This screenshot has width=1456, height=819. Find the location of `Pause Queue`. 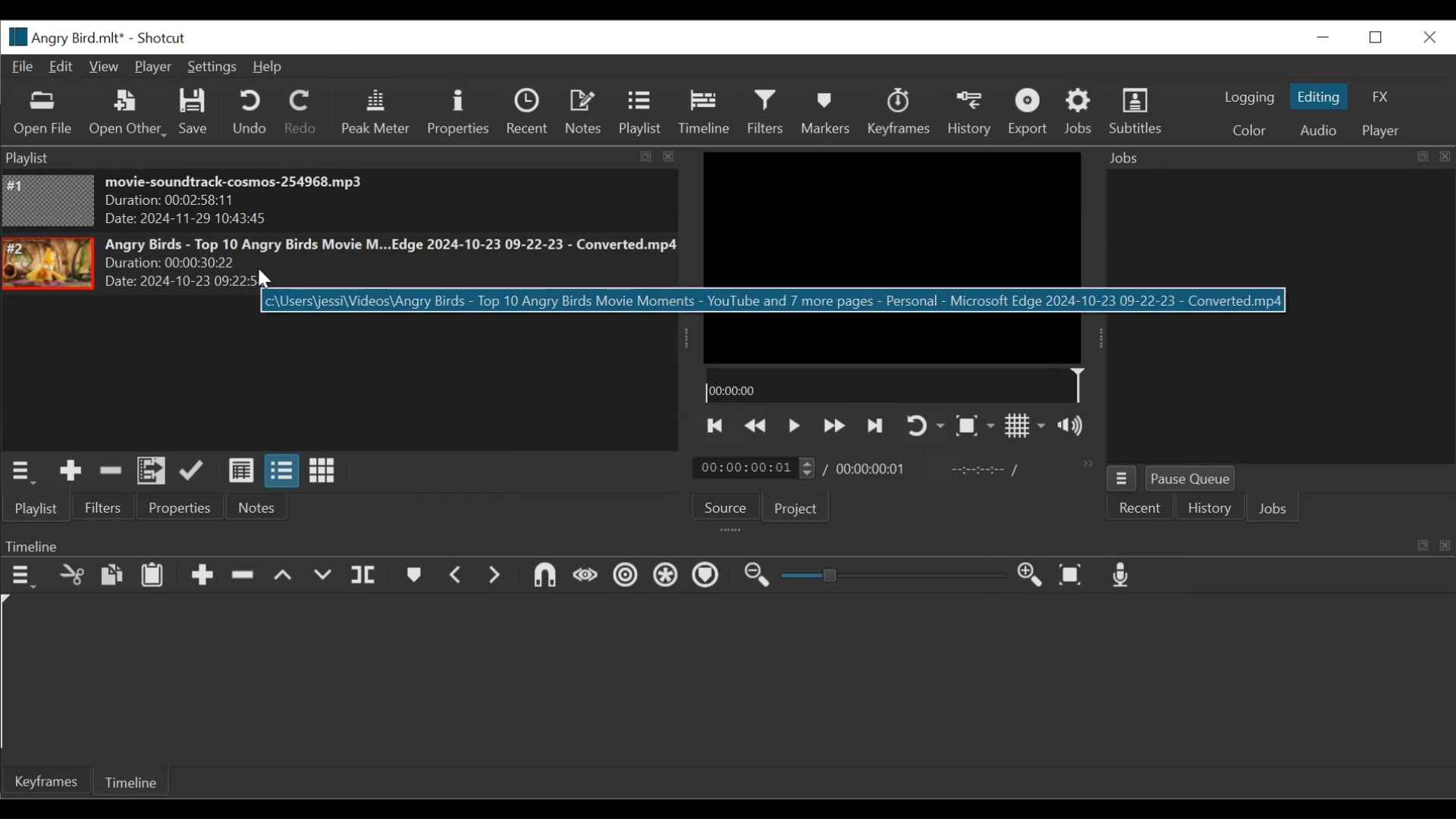

Pause Queue is located at coordinates (1195, 479).